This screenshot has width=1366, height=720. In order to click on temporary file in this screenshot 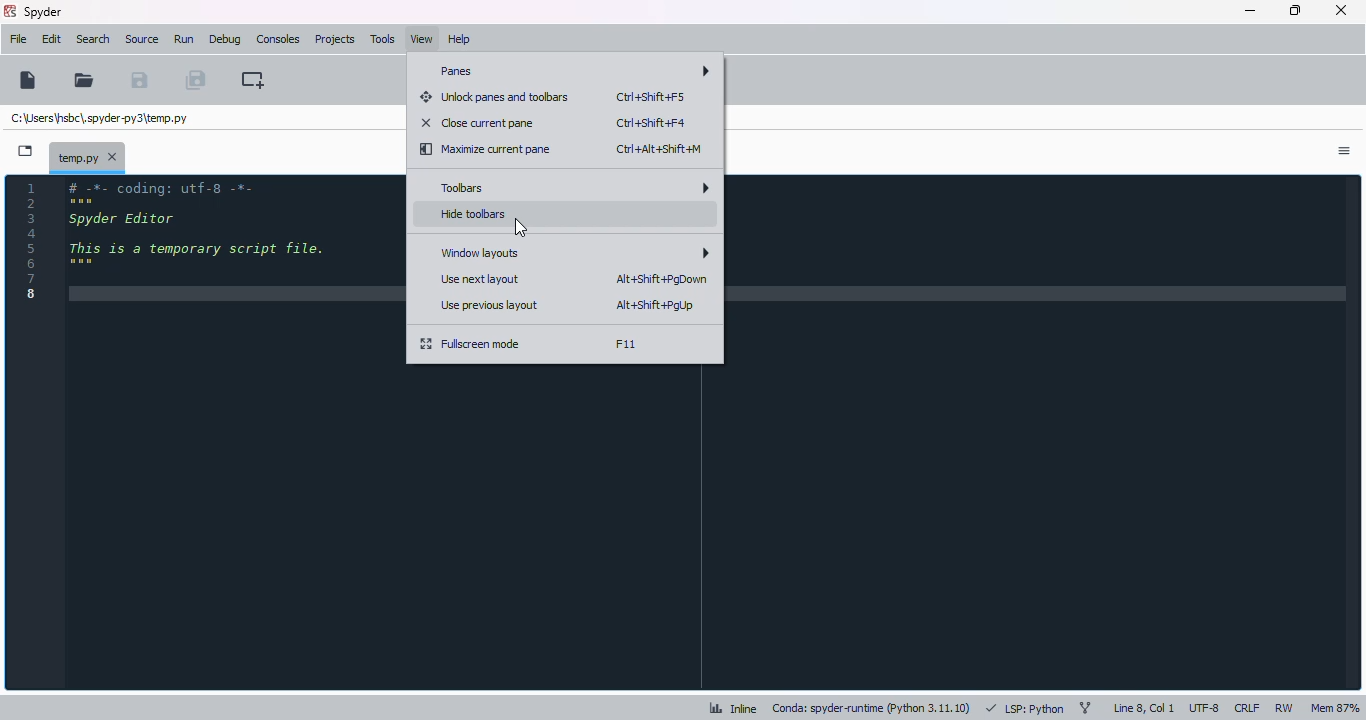, I will do `click(87, 156)`.